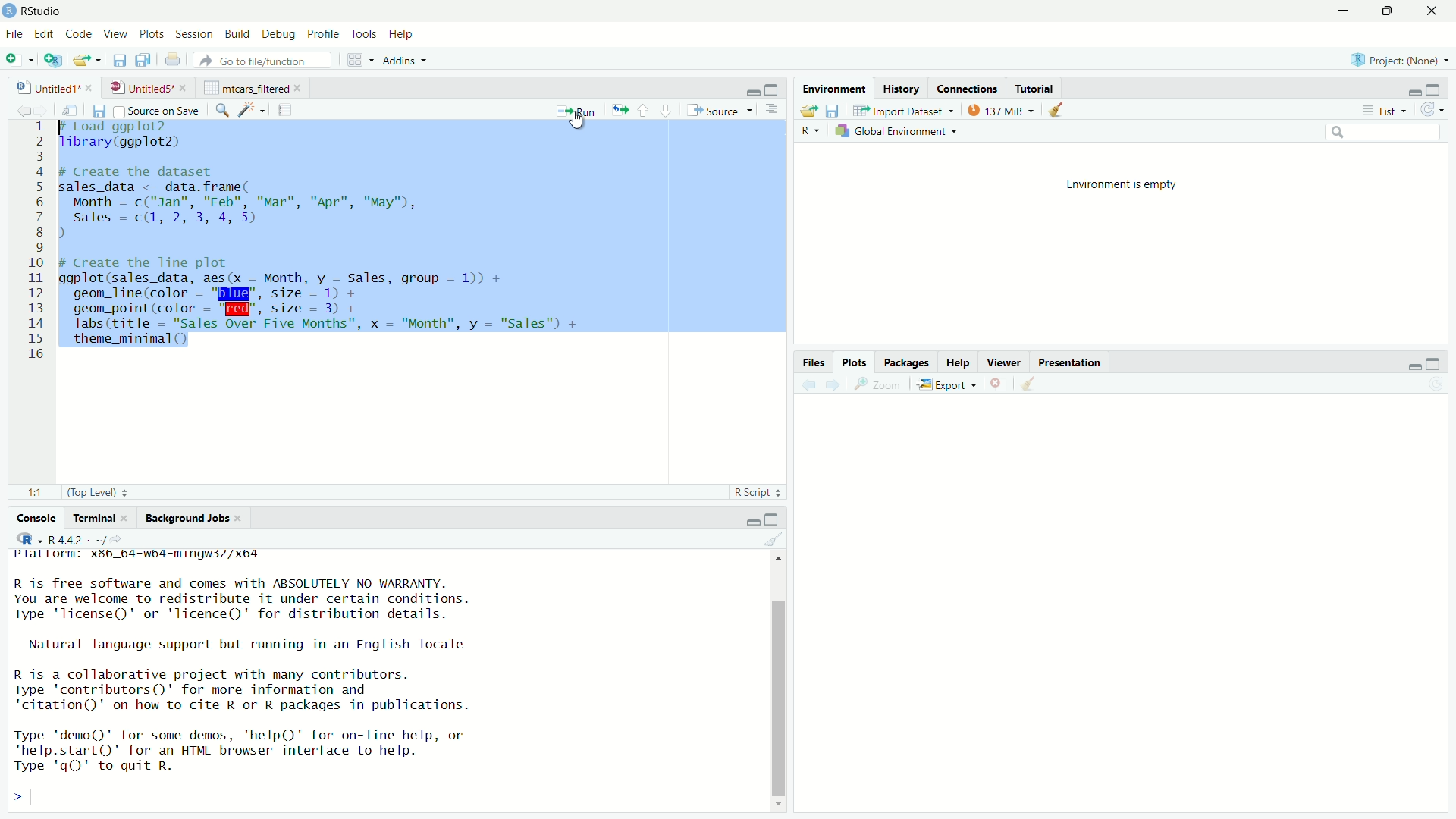 The image size is (1456, 819). What do you see at coordinates (84, 61) in the screenshot?
I see `open a existing file` at bounding box center [84, 61].